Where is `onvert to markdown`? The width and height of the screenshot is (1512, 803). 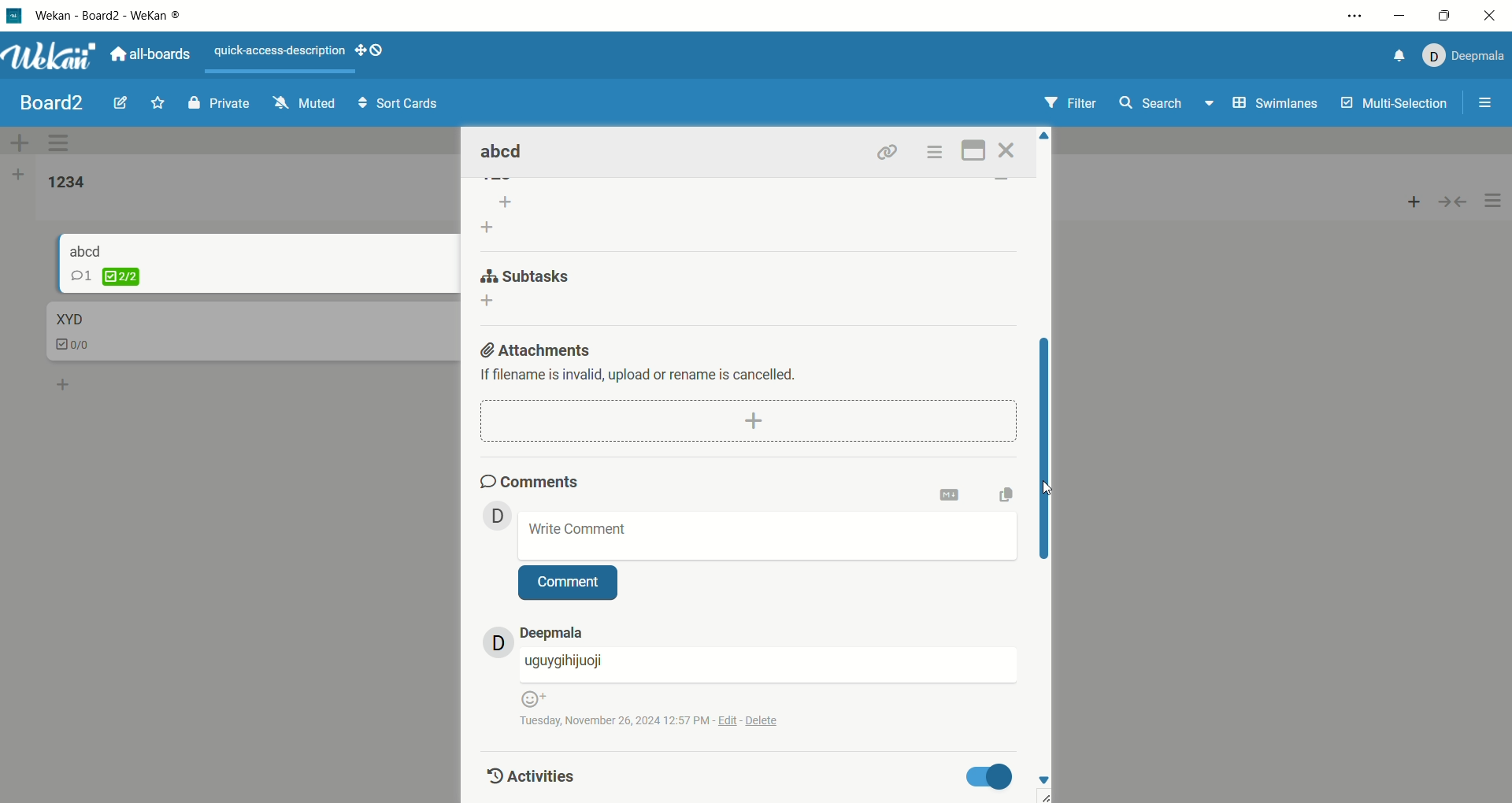 onvert to markdown is located at coordinates (951, 495).